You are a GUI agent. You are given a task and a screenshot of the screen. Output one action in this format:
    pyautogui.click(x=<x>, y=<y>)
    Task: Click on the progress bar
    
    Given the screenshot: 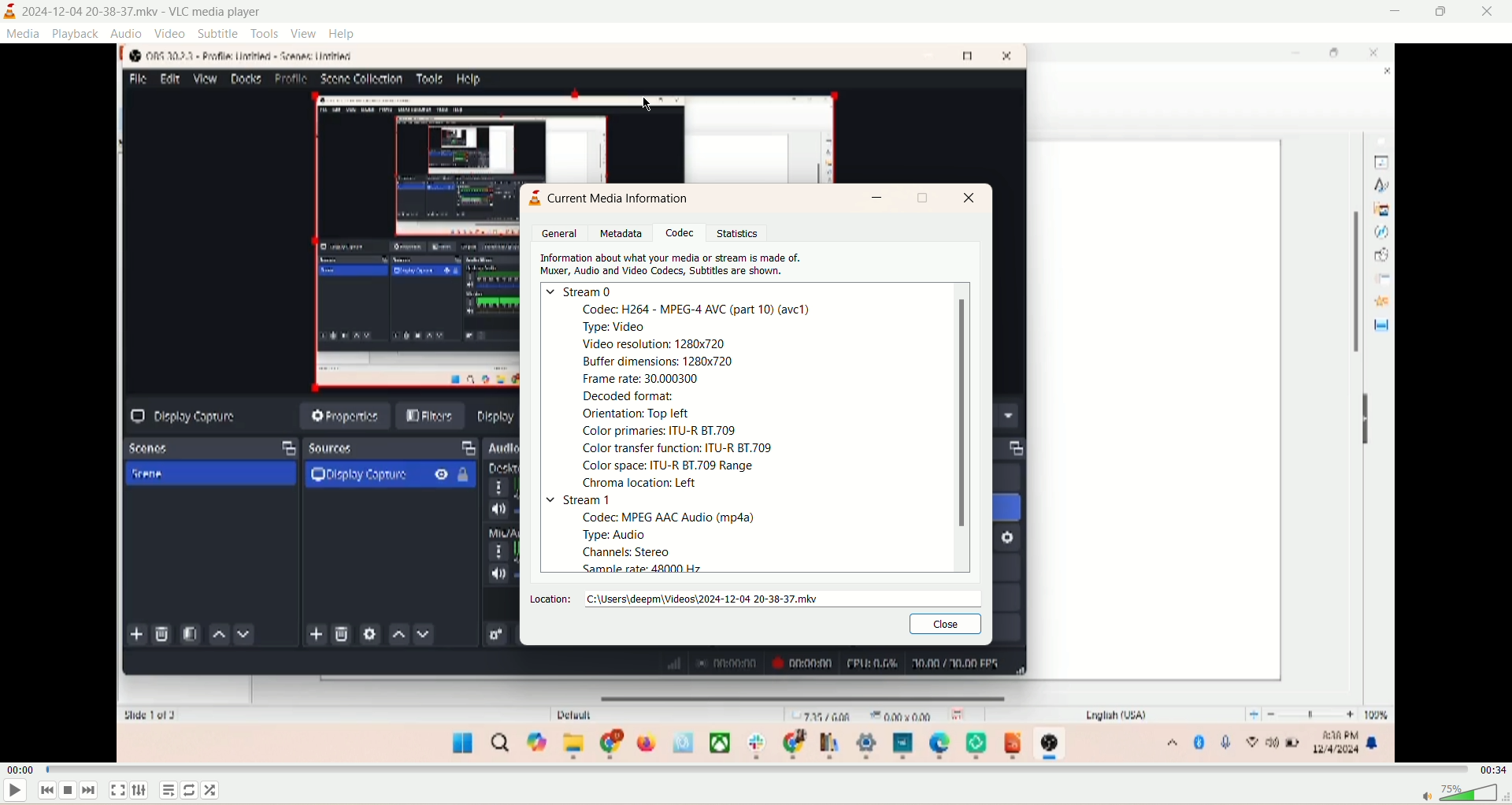 What is the action you would take?
    pyautogui.click(x=760, y=770)
    